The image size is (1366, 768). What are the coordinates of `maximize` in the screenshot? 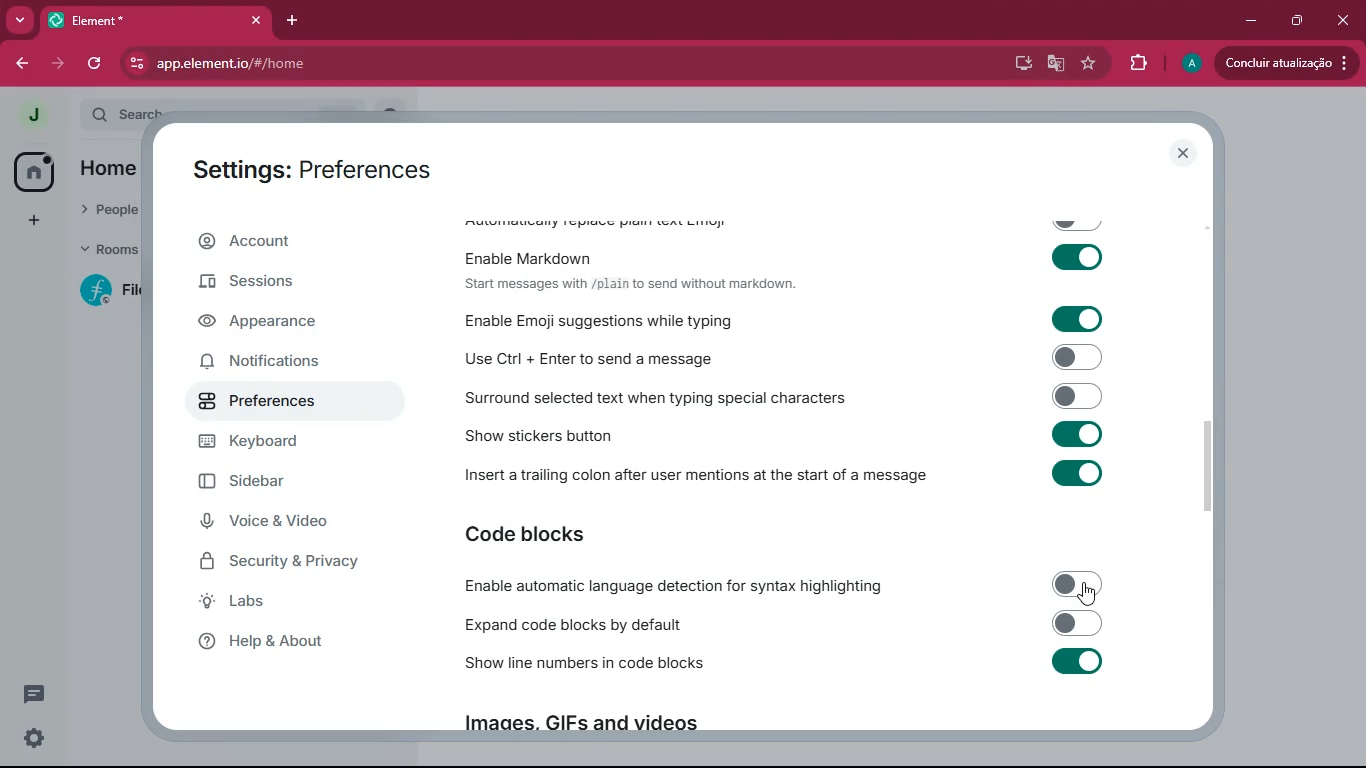 It's located at (1297, 21).